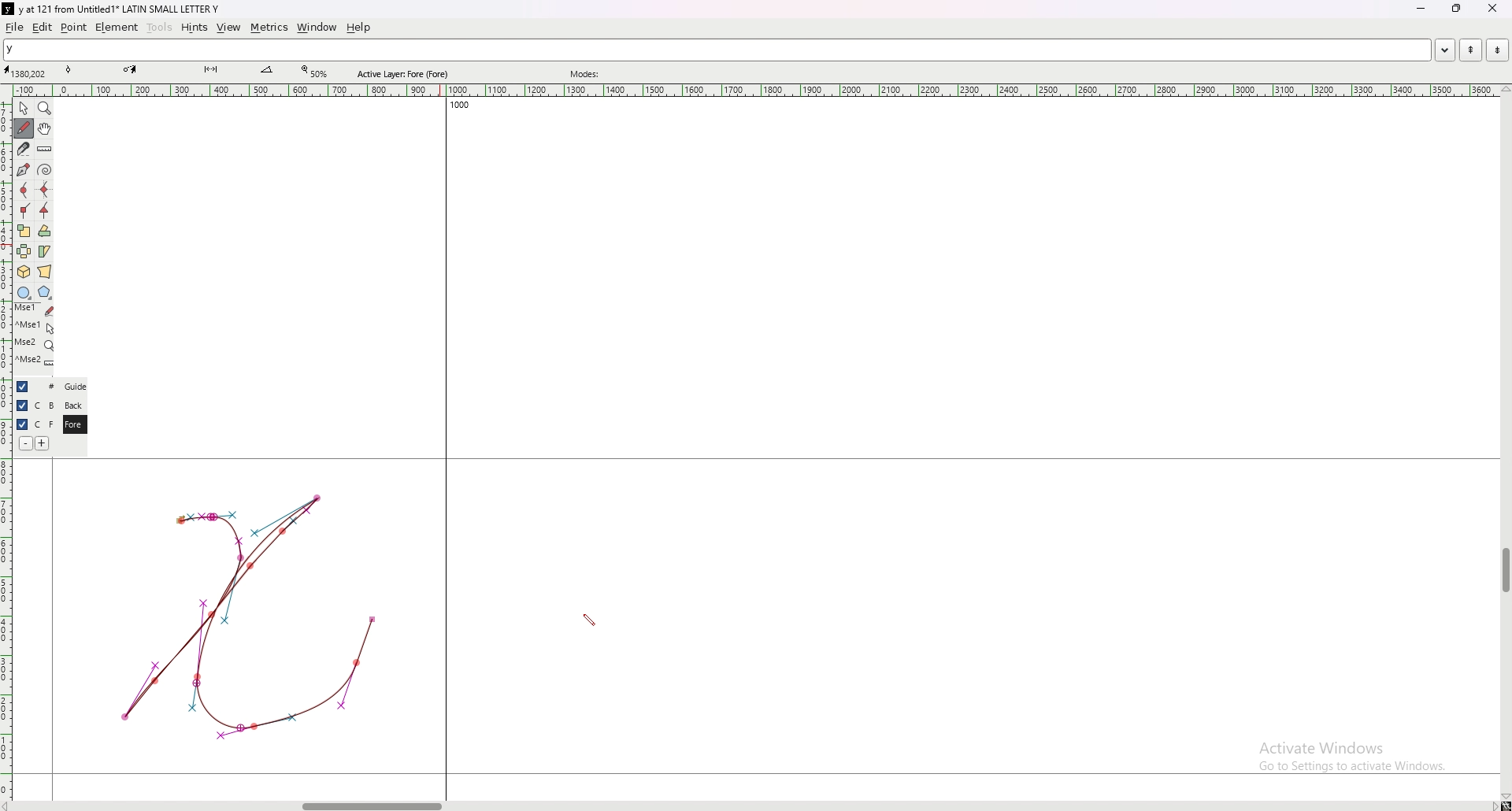  I want to click on circle or ellipse, so click(24, 292).